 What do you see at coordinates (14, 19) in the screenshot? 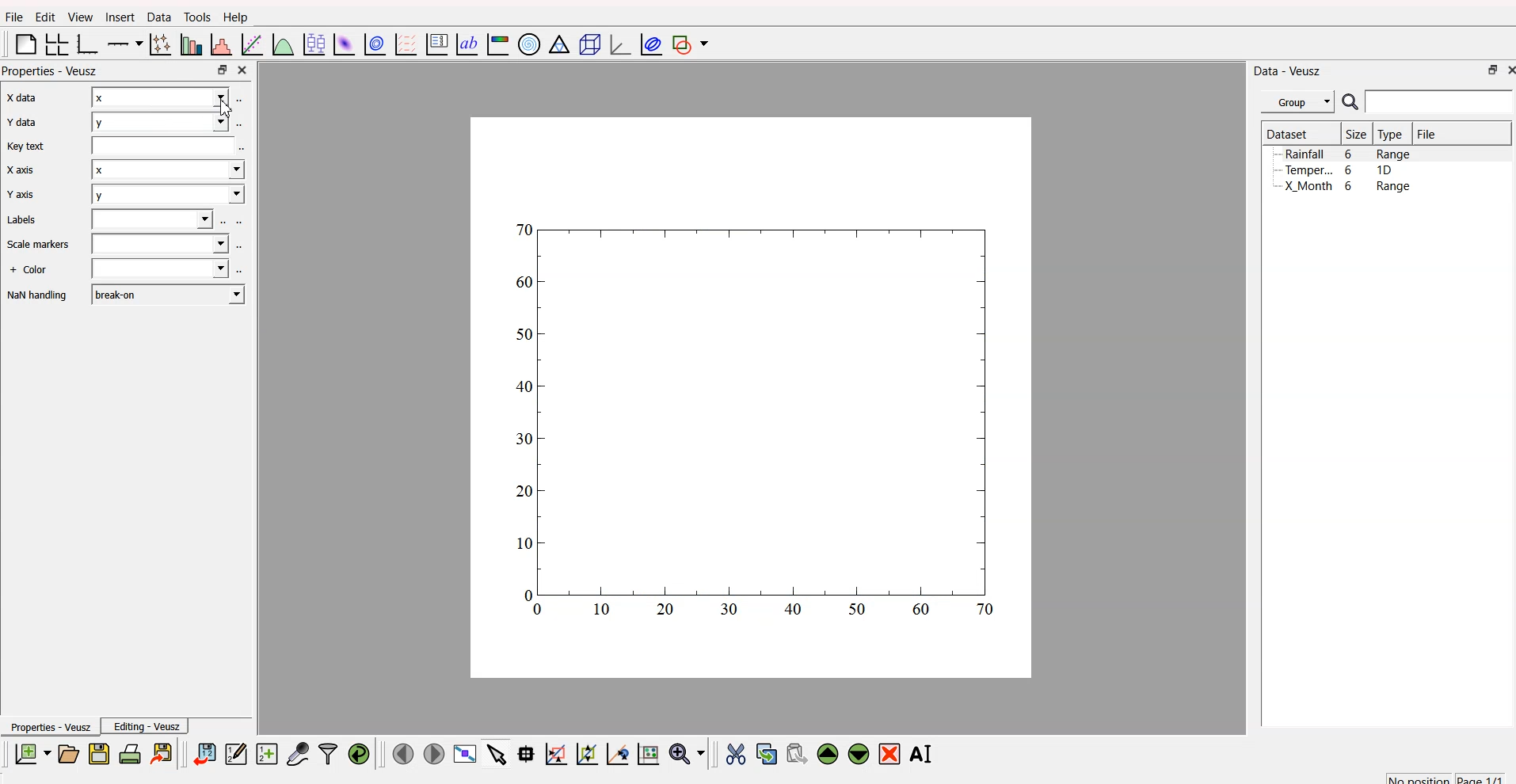
I see `Flle` at bounding box center [14, 19].